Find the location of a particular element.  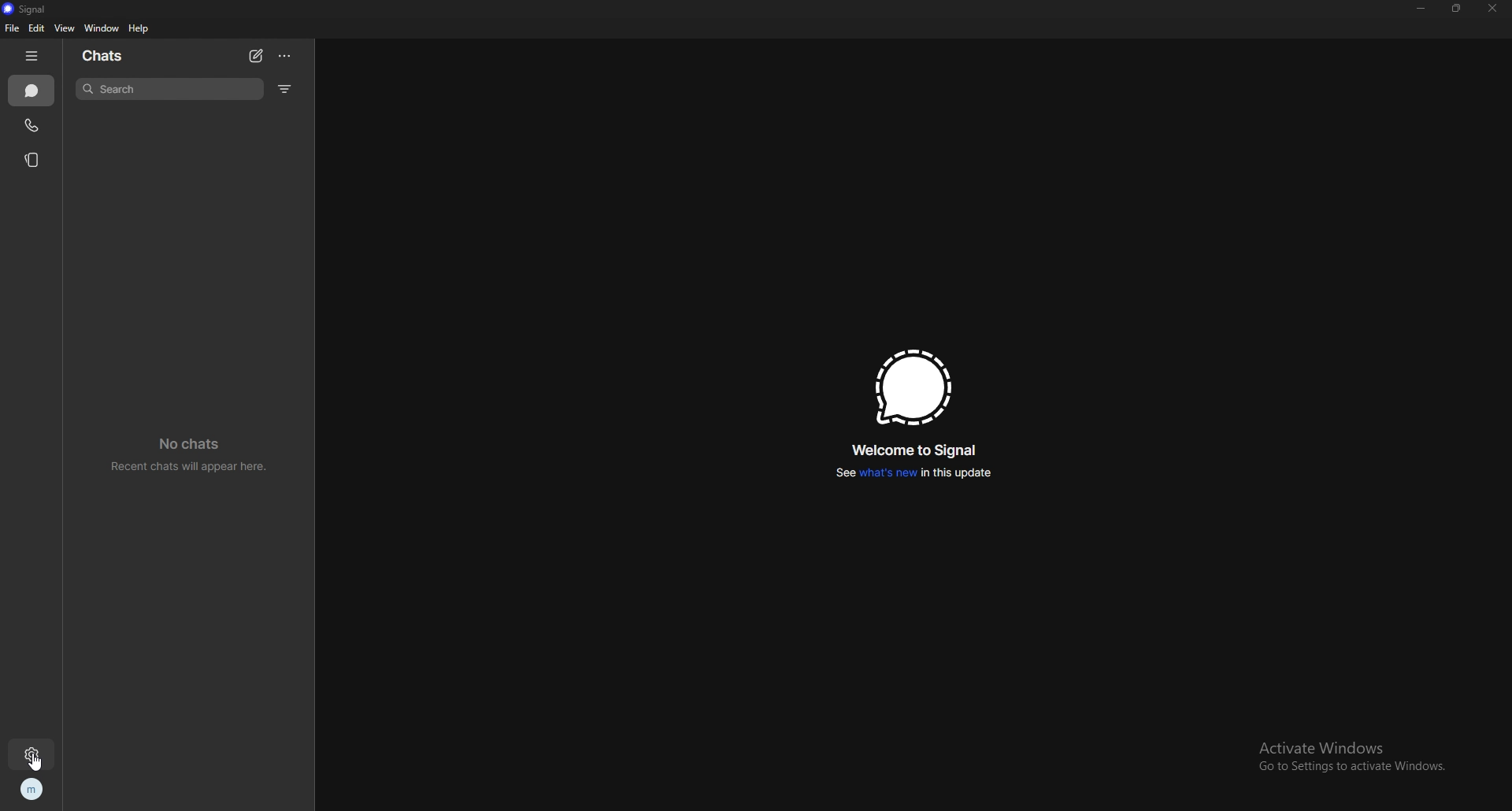

profile is located at coordinates (31, 789).